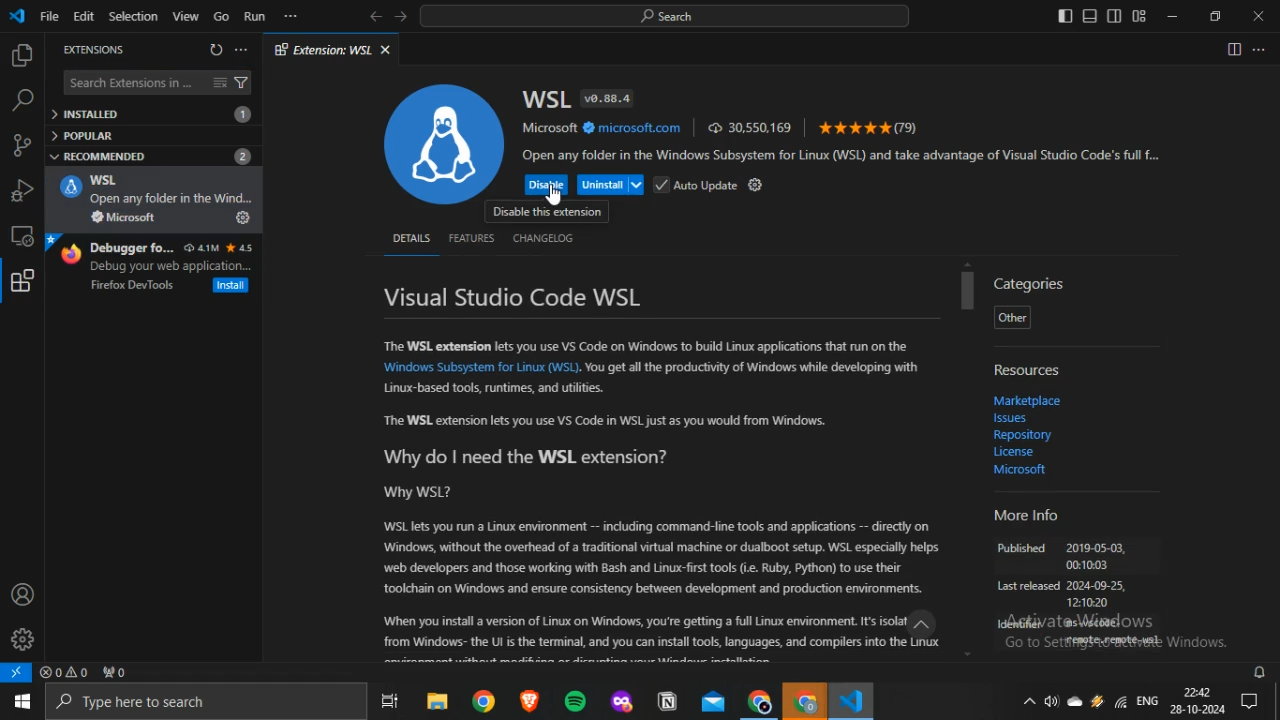 This screenshot has height=720, width=1280. I want to click on Extension: WSL, so click(323, 49).